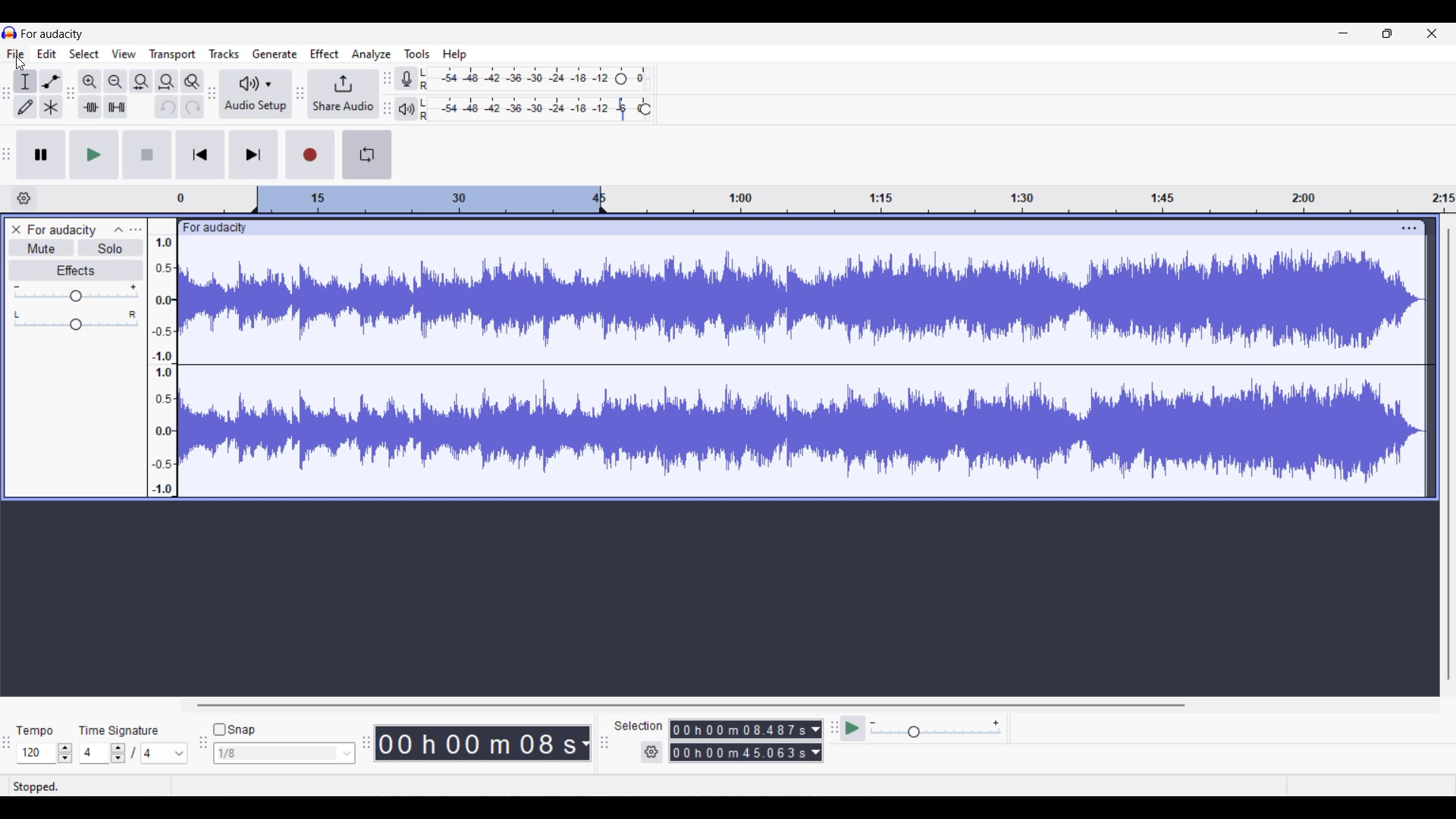 This screenshot has height=819, width=1456. I want to click on Share audio, so click(343, 94).